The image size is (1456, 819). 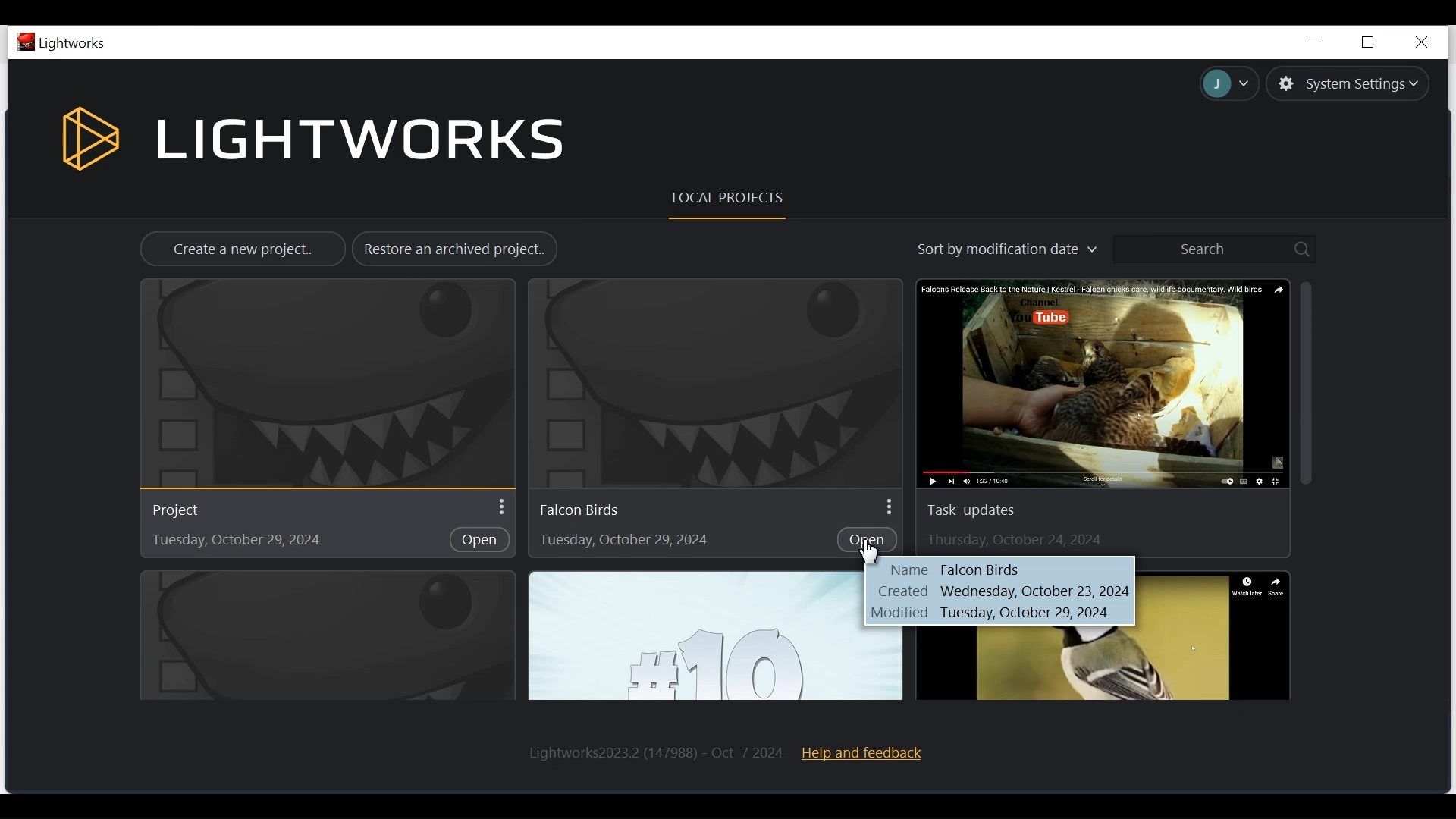 I want to click on Lightwork Project Brwser View, so click(x=315, y=140).